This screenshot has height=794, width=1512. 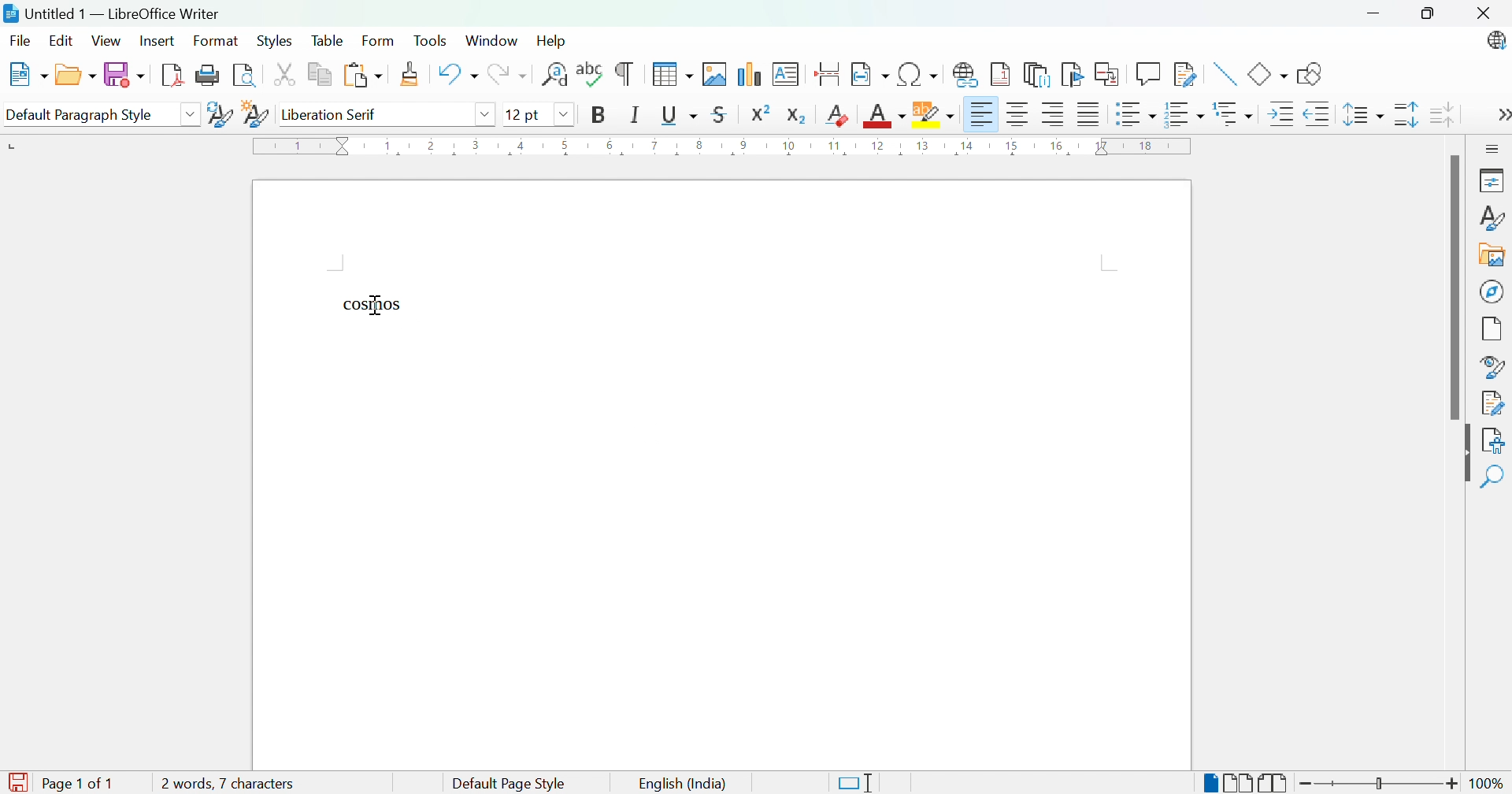 What do you see at coordinates (798, 117) in the screenshot?
I see `Subscript` at bounding box center [798, 117].